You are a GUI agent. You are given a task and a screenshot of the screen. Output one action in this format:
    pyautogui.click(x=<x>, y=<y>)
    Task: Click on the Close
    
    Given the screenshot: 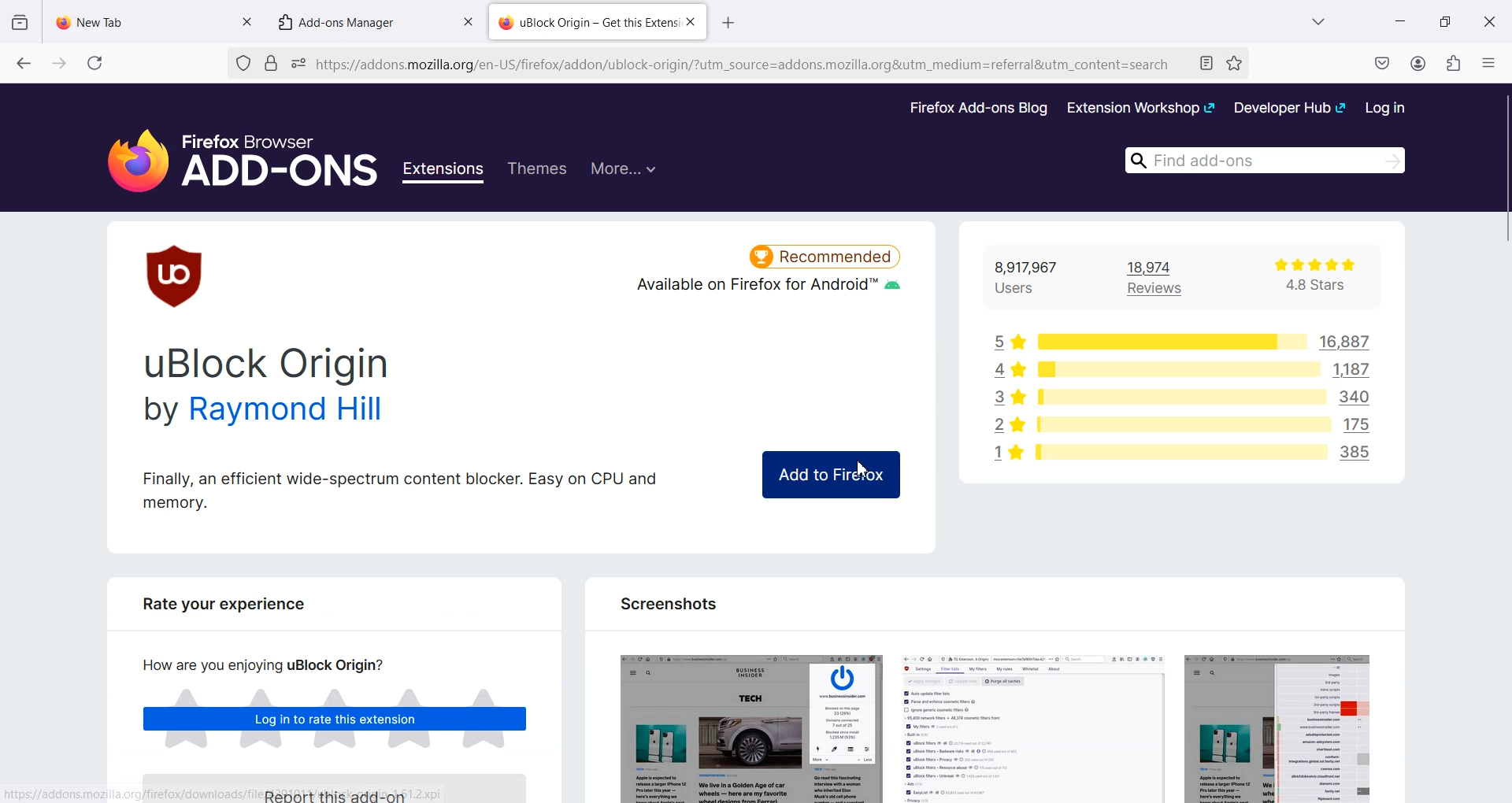 What is the action you would take?
    pyautogui.click(x=1489, y=20)
    